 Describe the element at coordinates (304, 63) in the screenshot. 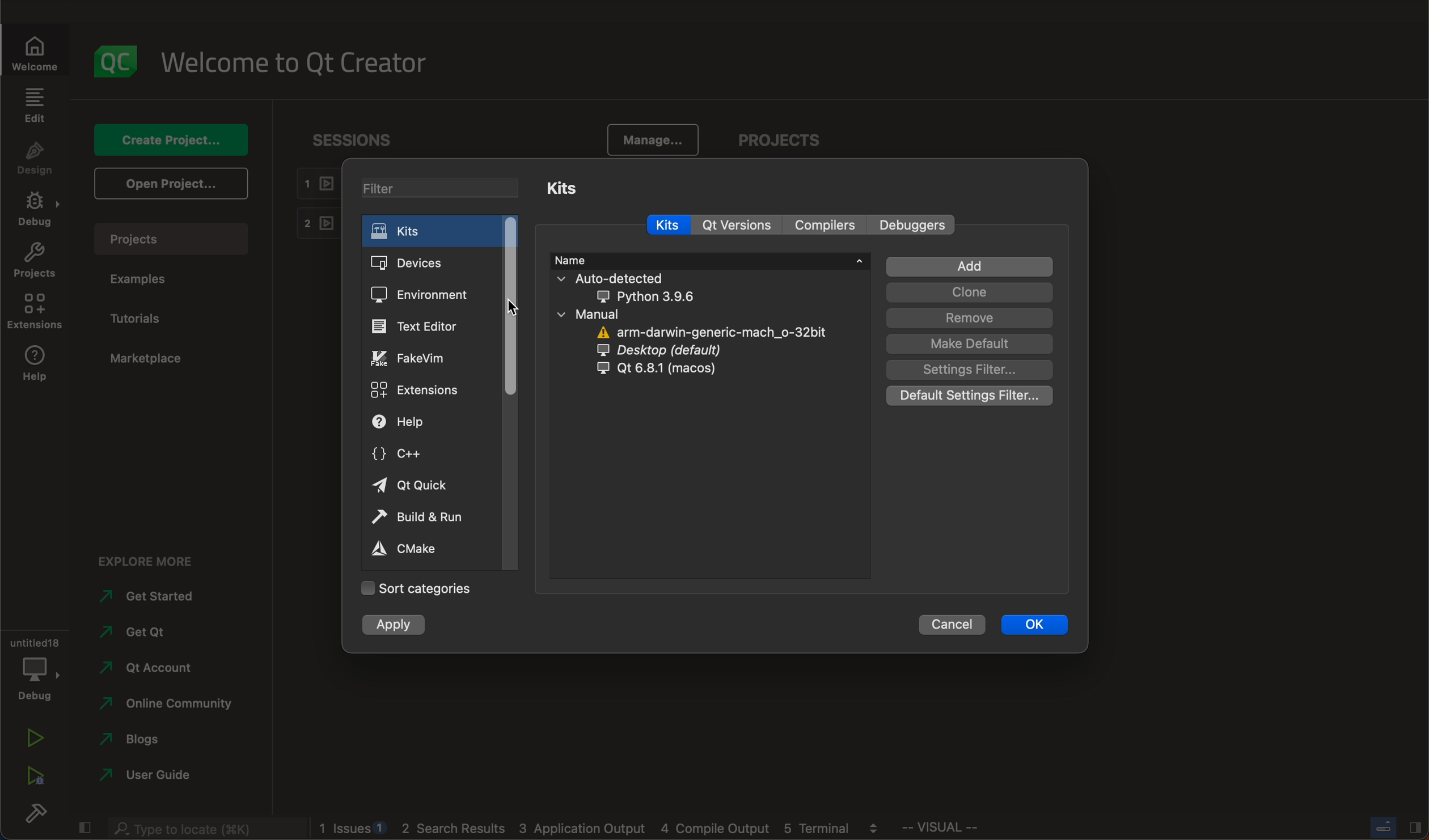

I see `welcome ` at that location.